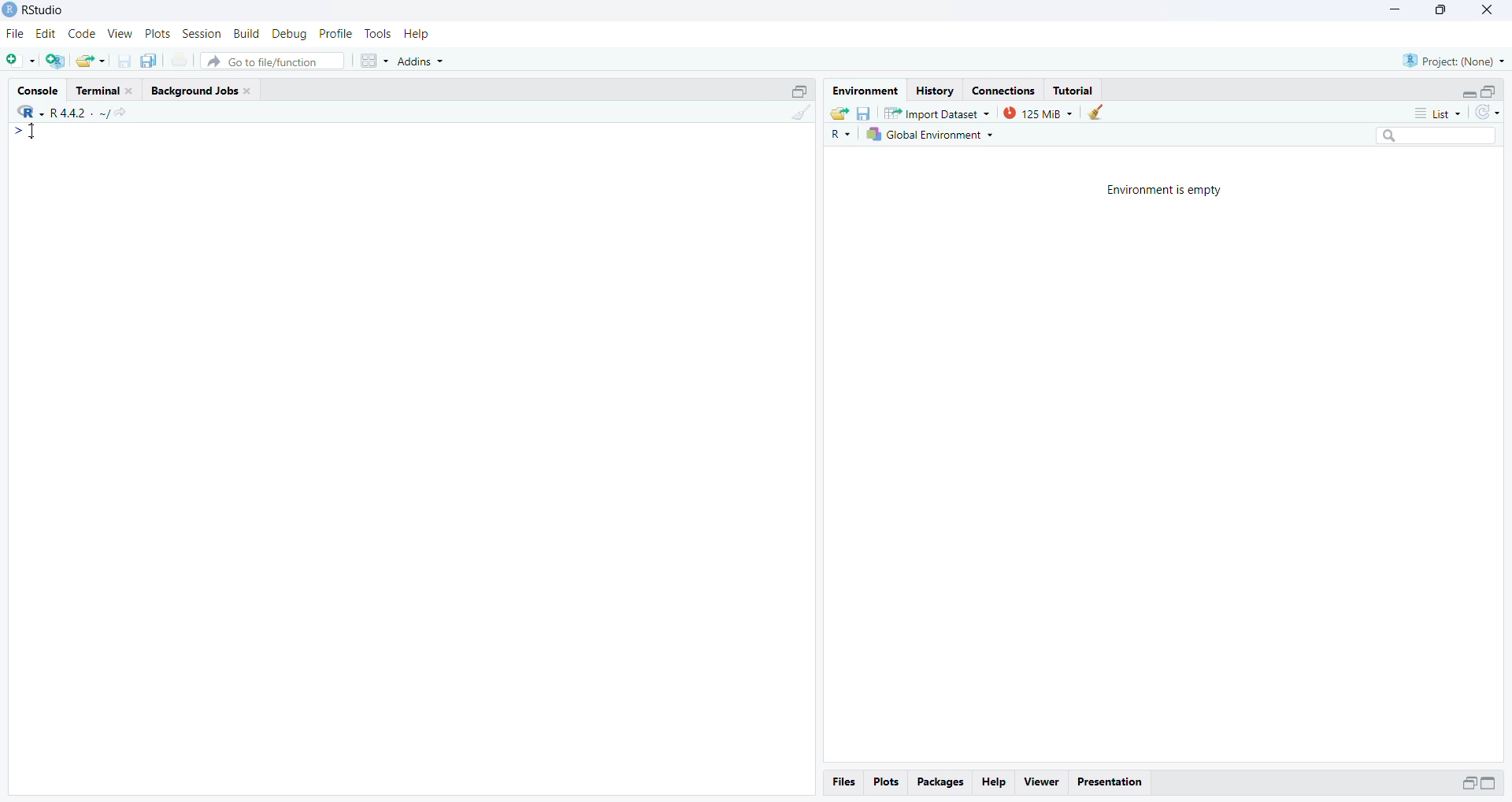 The image size is (1512, 802). What do you see at coordinates (54, 112) in the screenshot?
I see `R 4.4.2.` at bounding box center [54, 112].